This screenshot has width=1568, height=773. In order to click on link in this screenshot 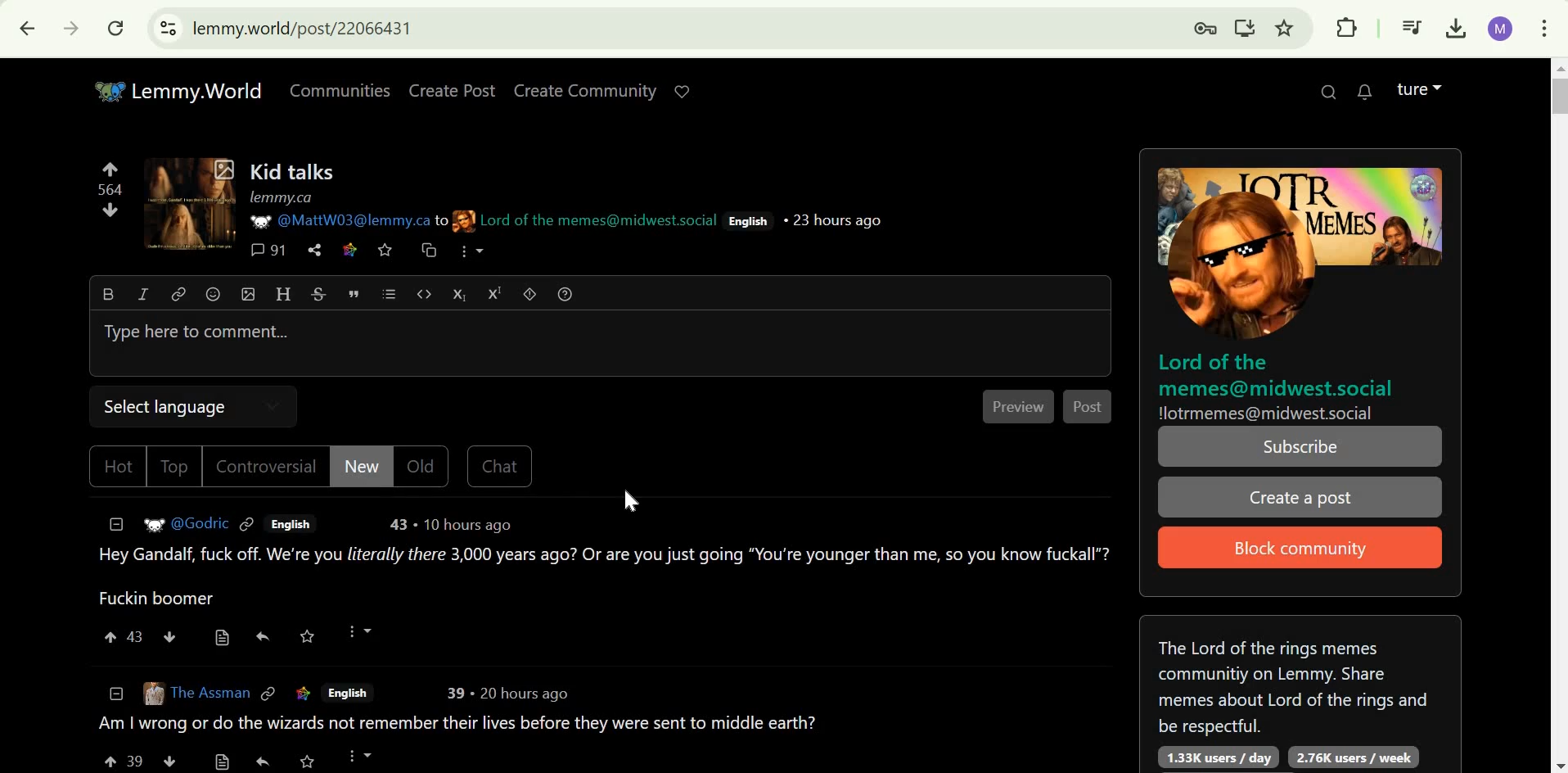, I will do `click(272, 693)`.